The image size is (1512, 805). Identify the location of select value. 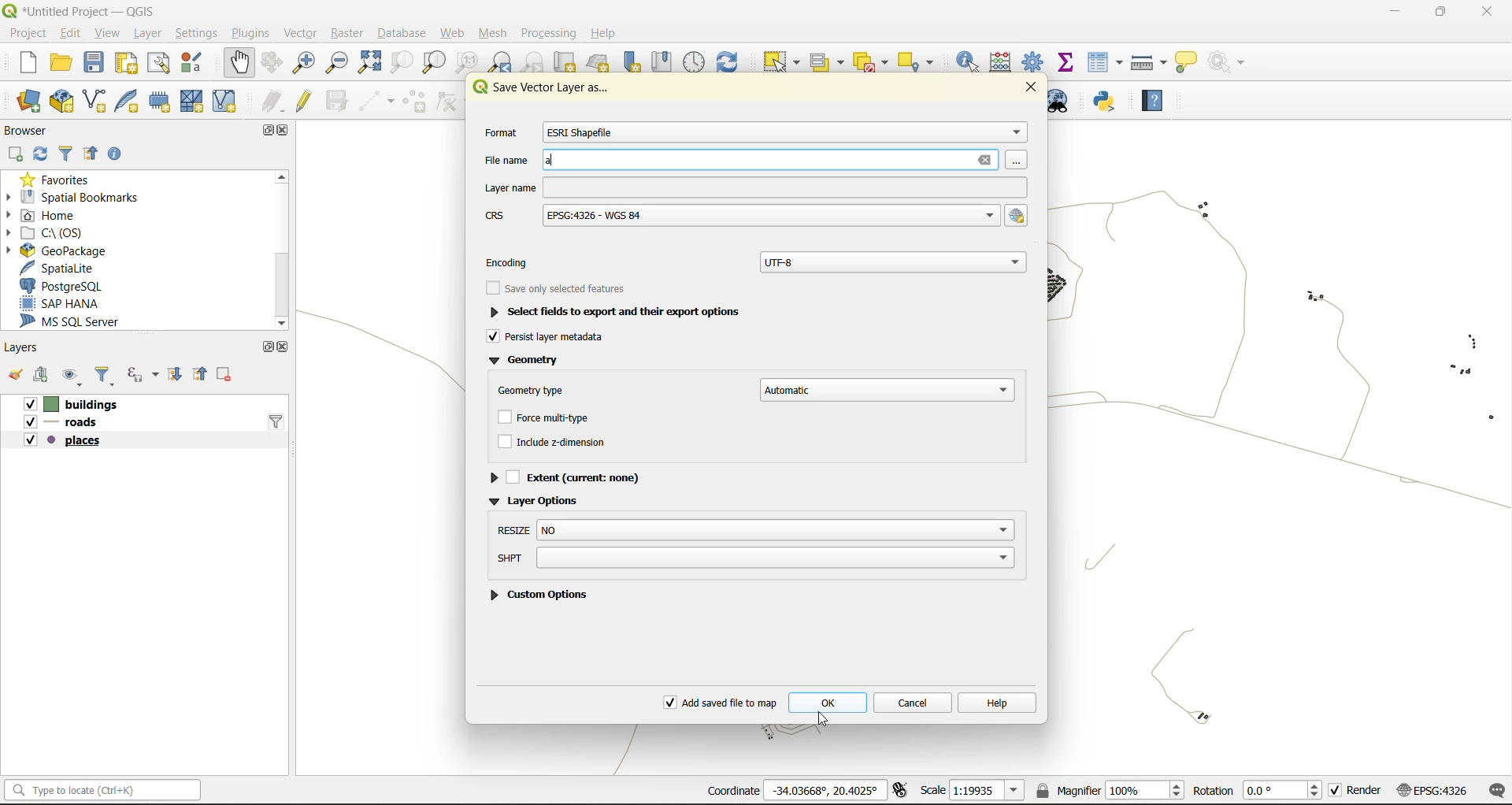
(825, 61).